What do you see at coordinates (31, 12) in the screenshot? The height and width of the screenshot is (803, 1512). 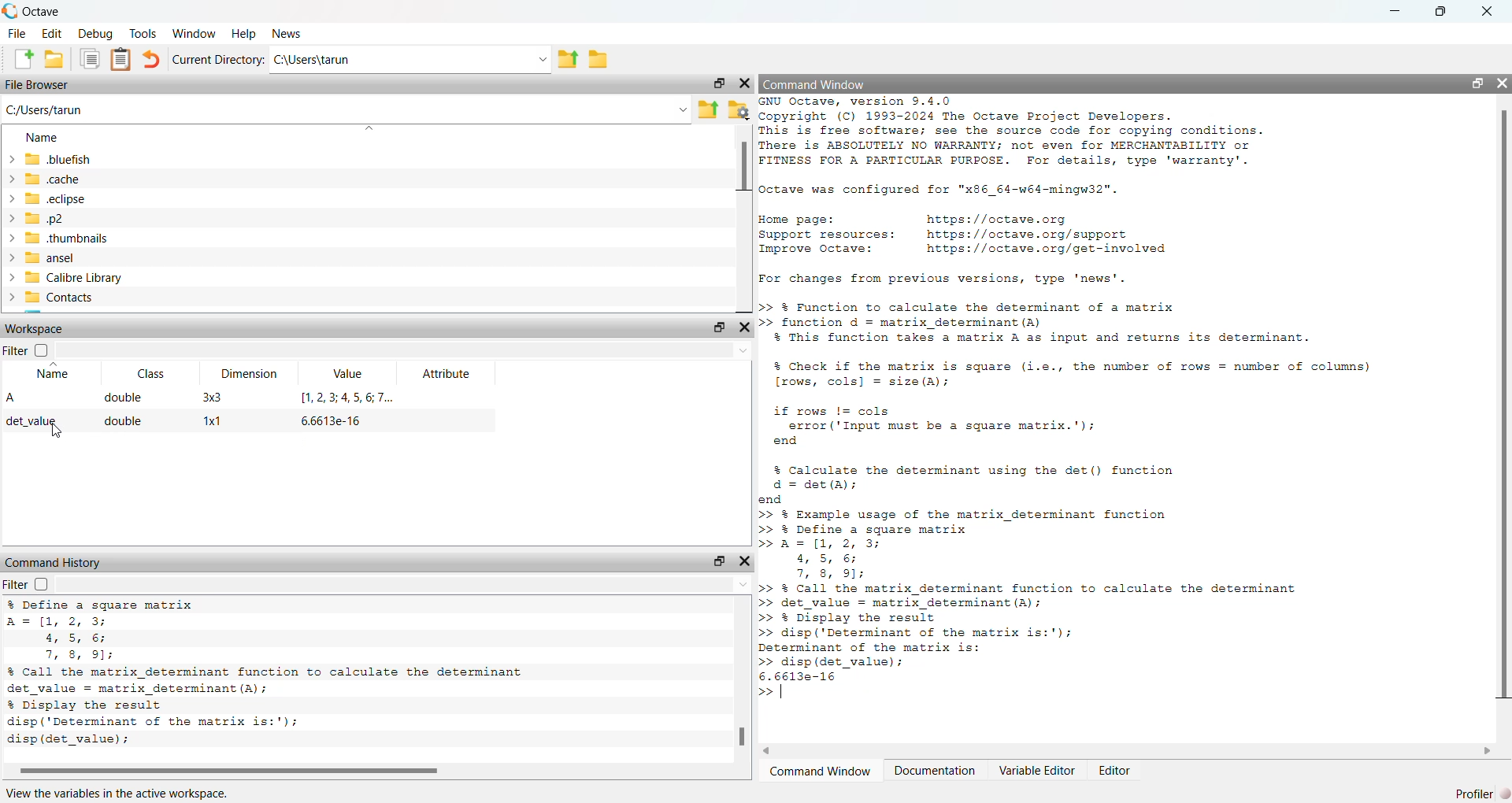 I see `octave` at bounding box center [31, 12].